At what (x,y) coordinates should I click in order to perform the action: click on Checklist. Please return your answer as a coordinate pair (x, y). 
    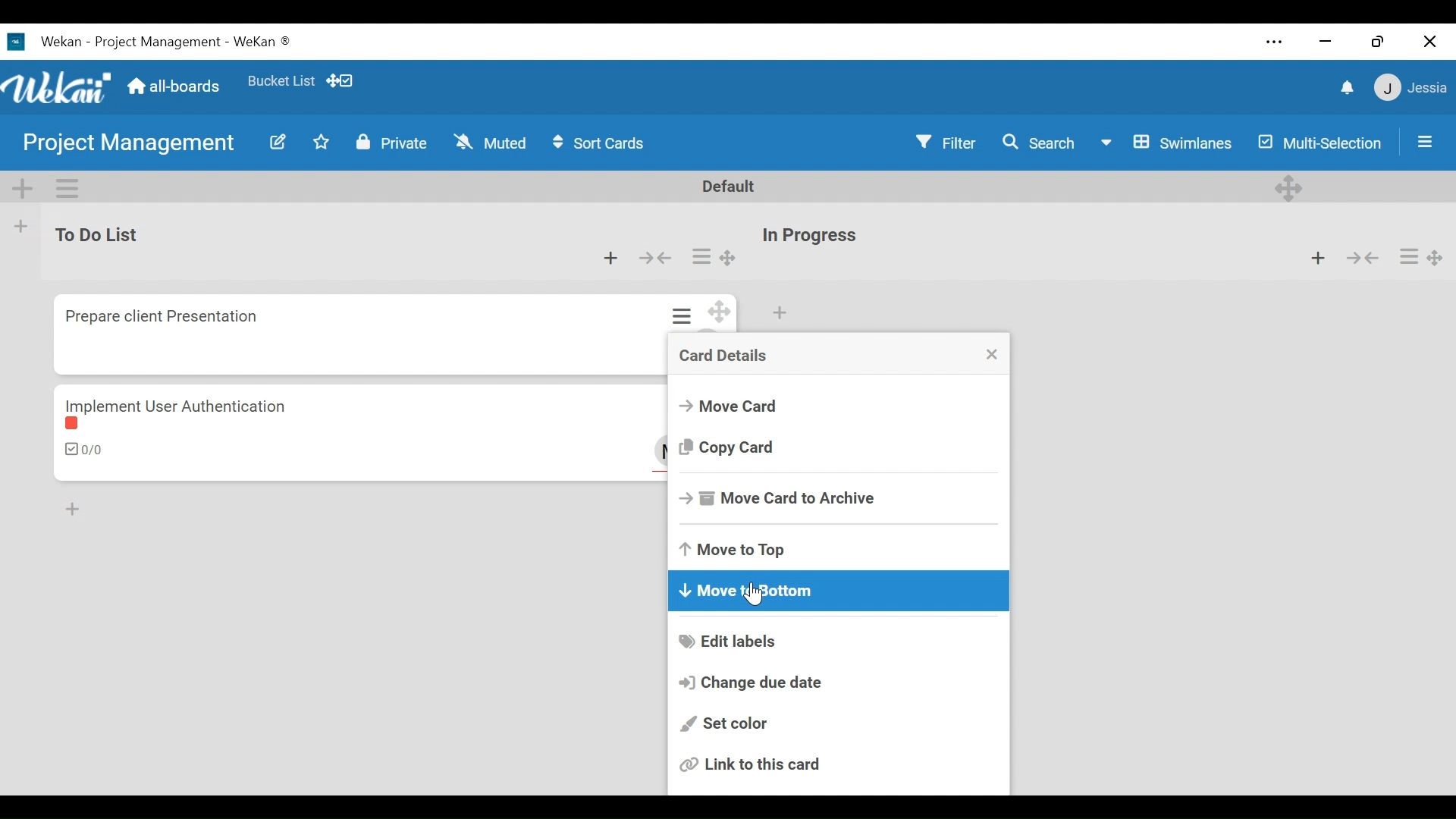
    Looking at the image, I should click on (85, 449).